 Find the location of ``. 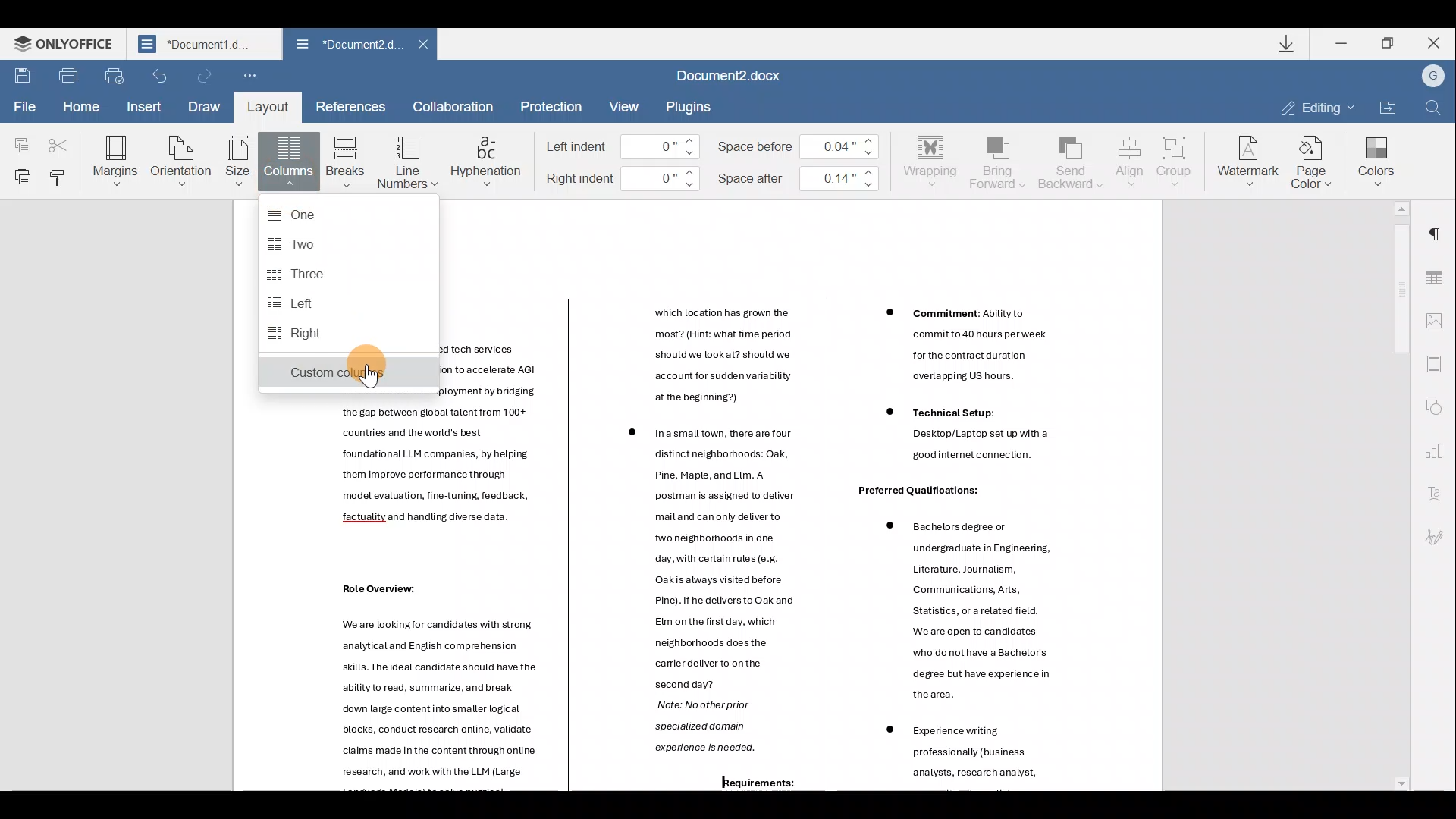

 is located at coordinates (915, 491).